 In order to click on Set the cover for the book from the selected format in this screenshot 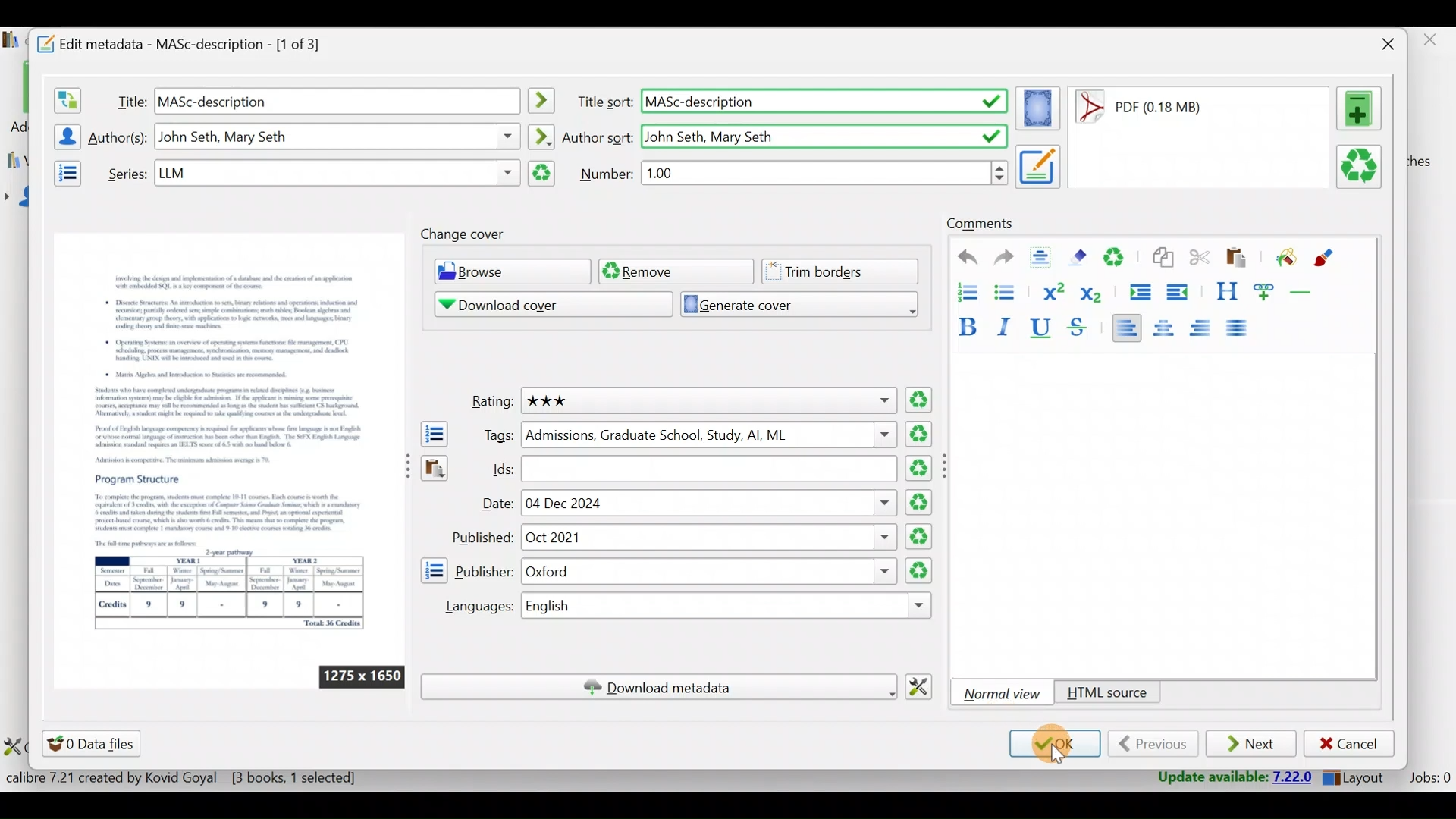, I will do `click(1038, 108)`.